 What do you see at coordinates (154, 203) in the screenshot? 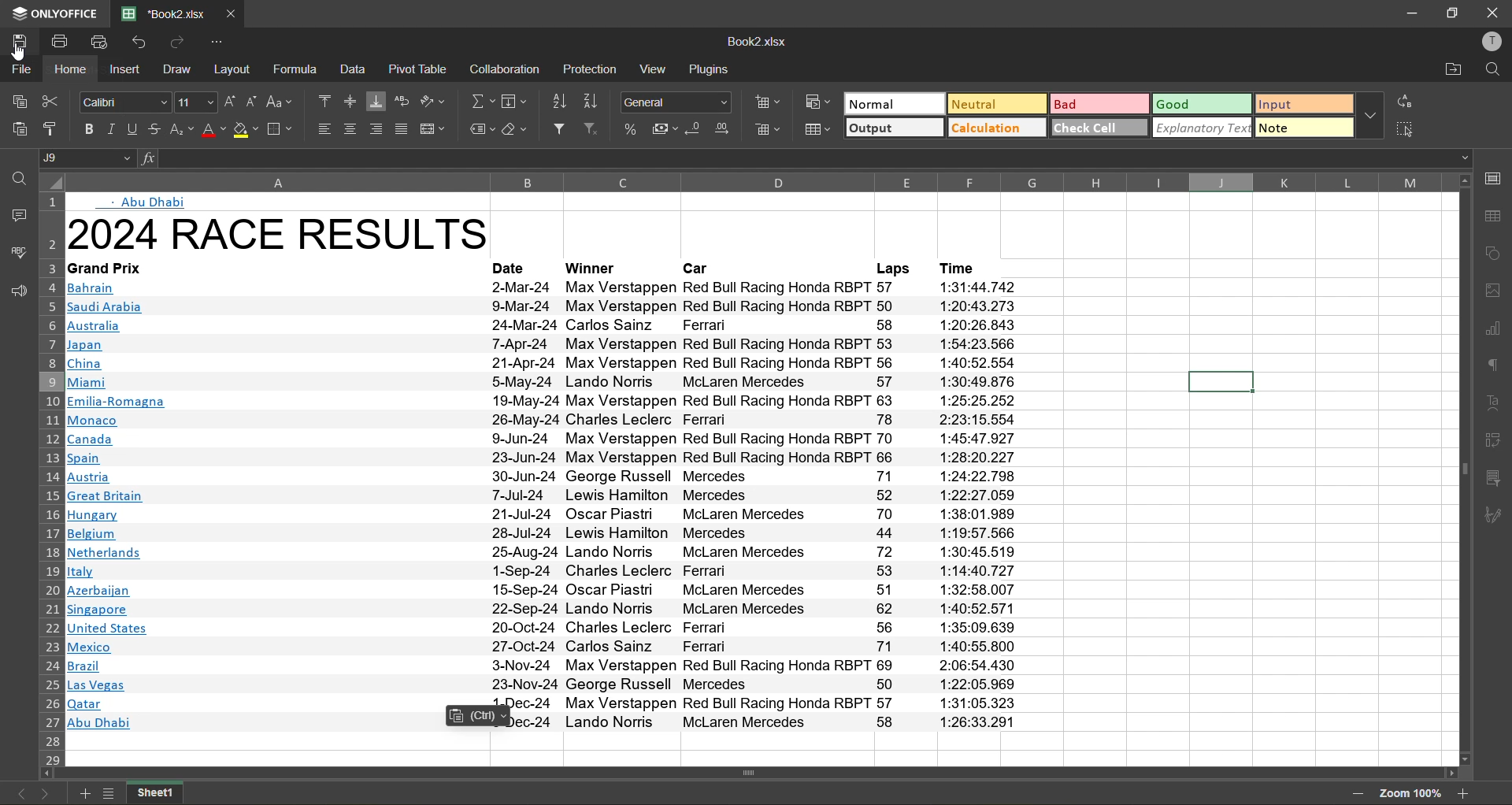
I see `abu dhabi` at bounding box center [154, 203].